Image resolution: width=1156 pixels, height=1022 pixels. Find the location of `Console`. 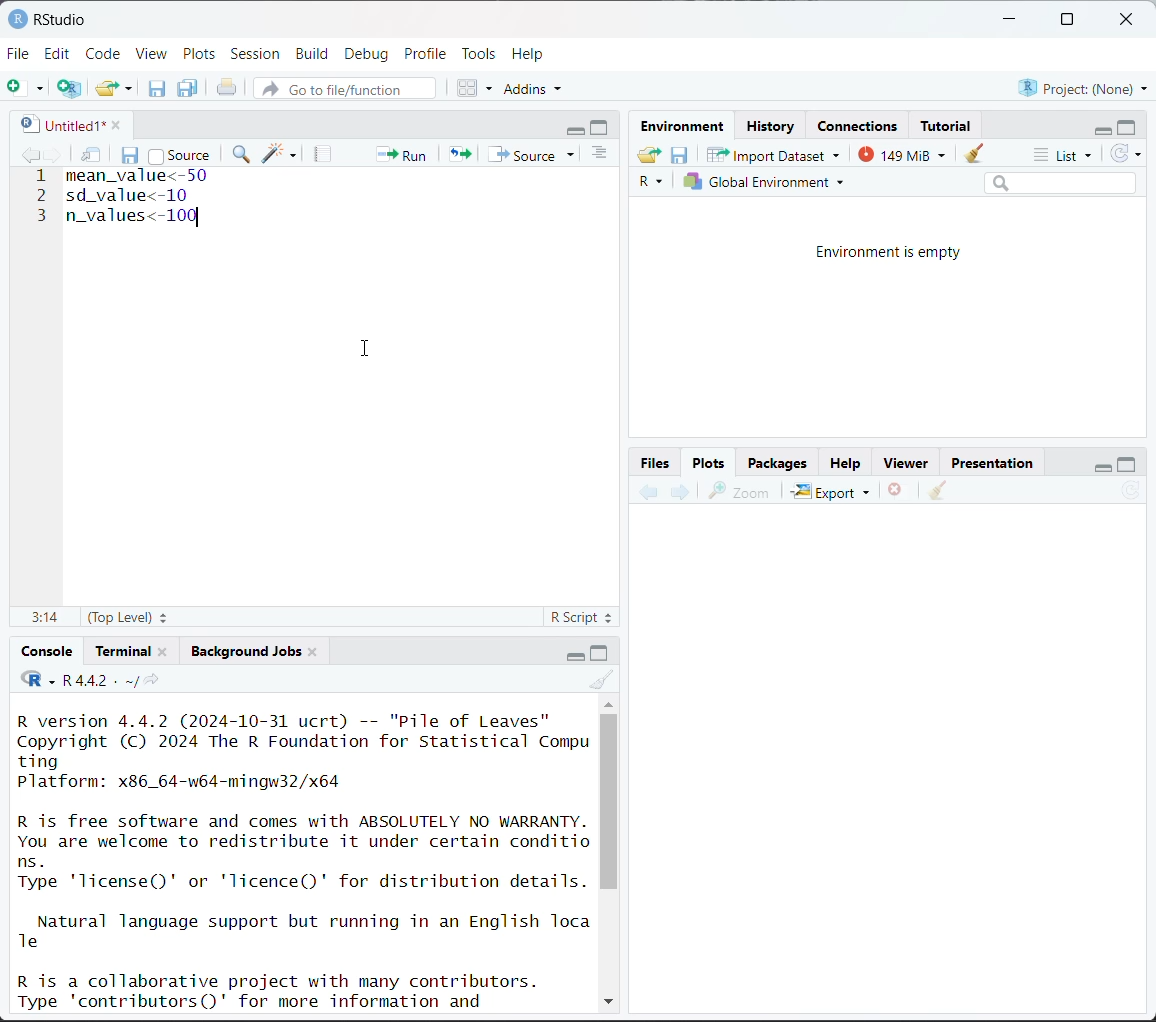

Console is located at coordinates (48, 651).